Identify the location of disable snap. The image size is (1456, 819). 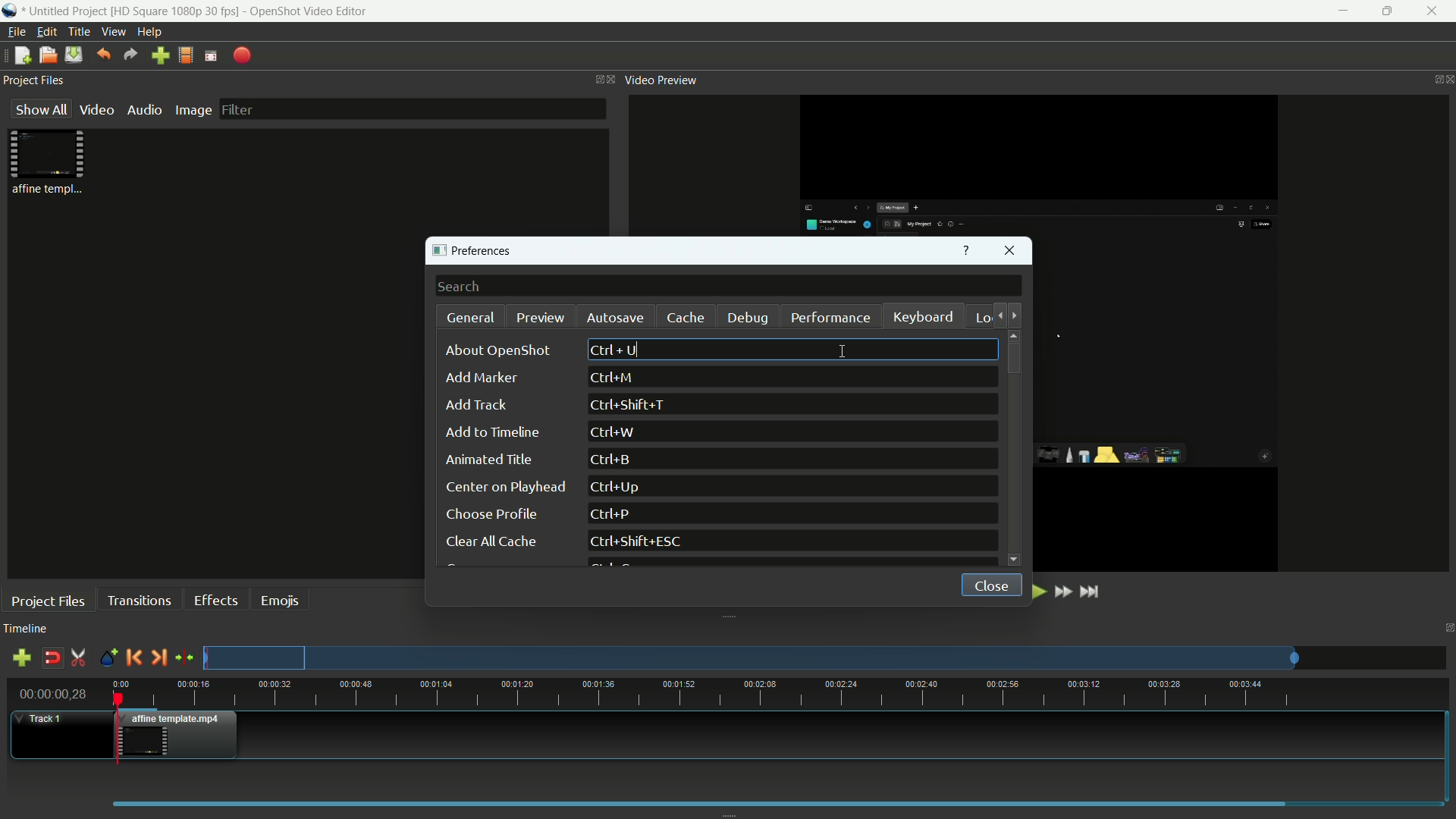
(52, 658).